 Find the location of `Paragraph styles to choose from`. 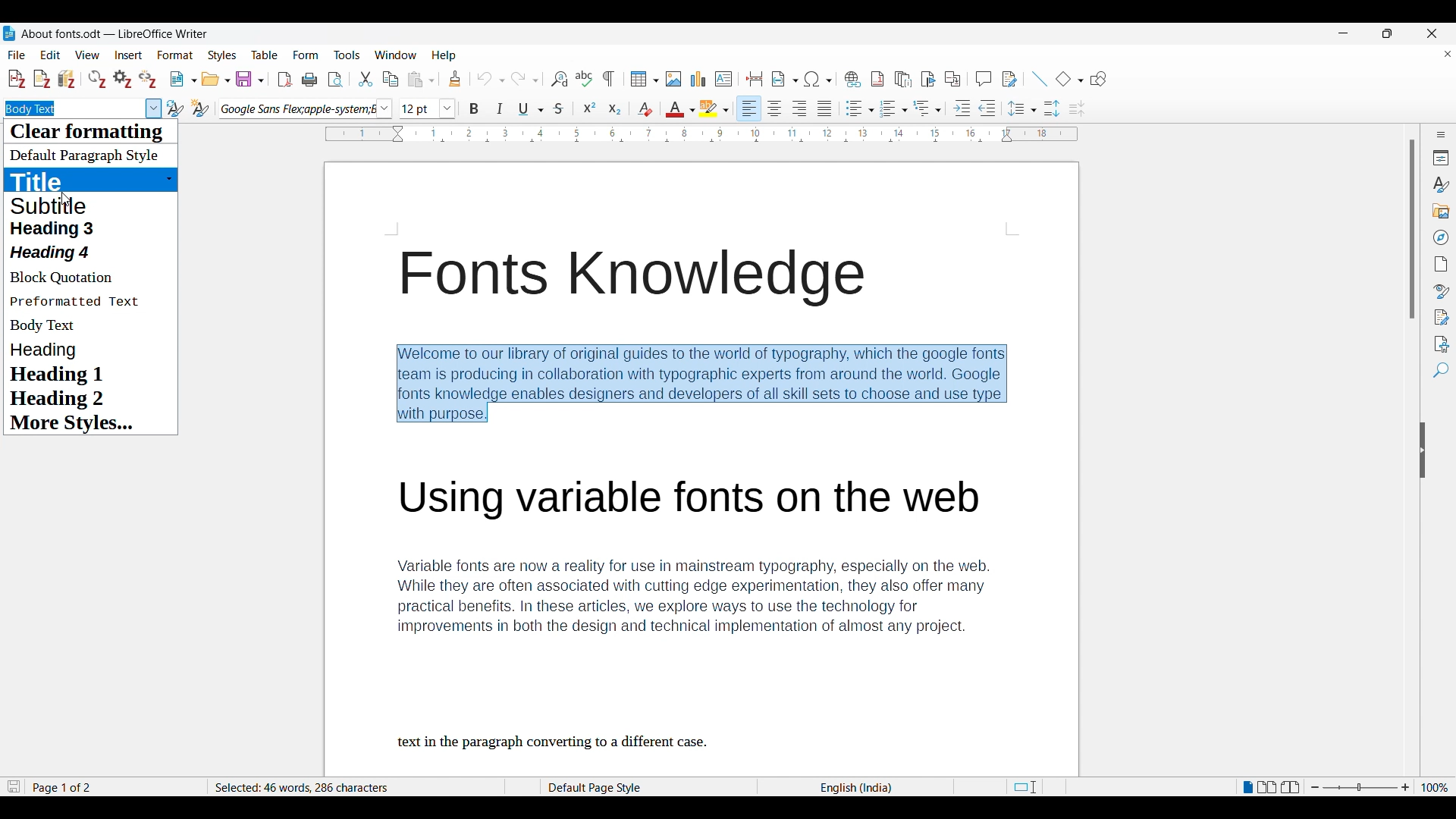

Paragraph styles to choose from is located at coordinates (84, 157).